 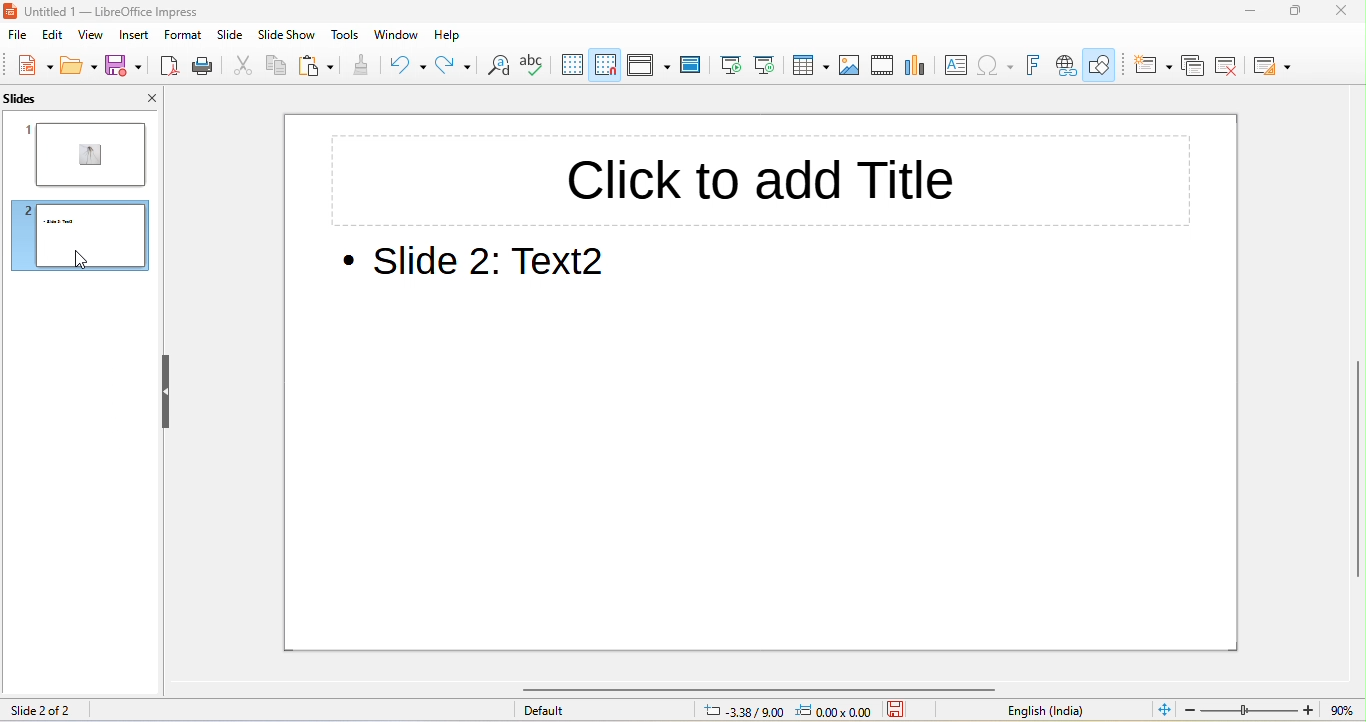 I want to click on zoom, so click(x=1273, y=710).